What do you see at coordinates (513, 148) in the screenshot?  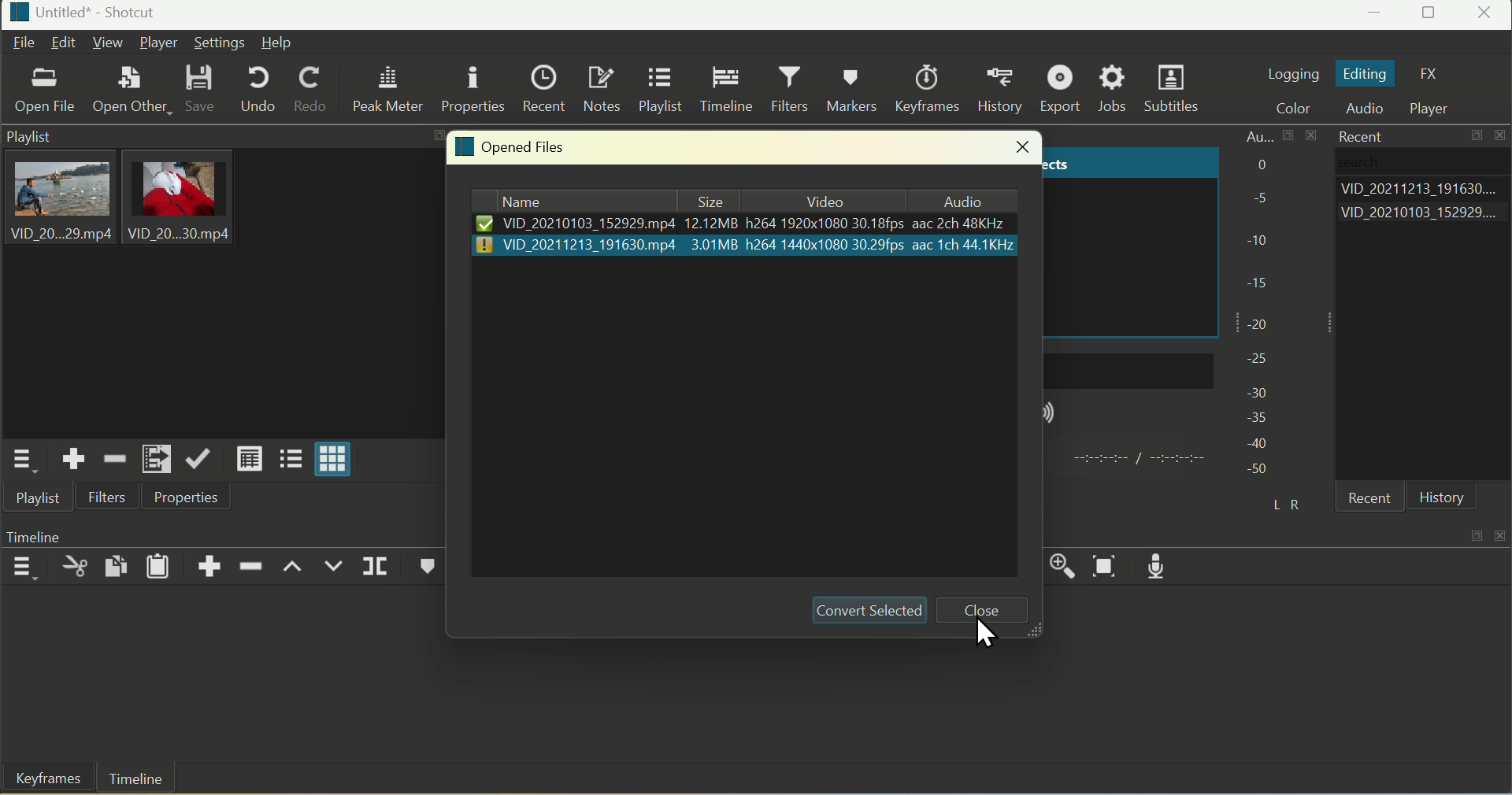 I see `opened files` at bounding box center [513, 148].